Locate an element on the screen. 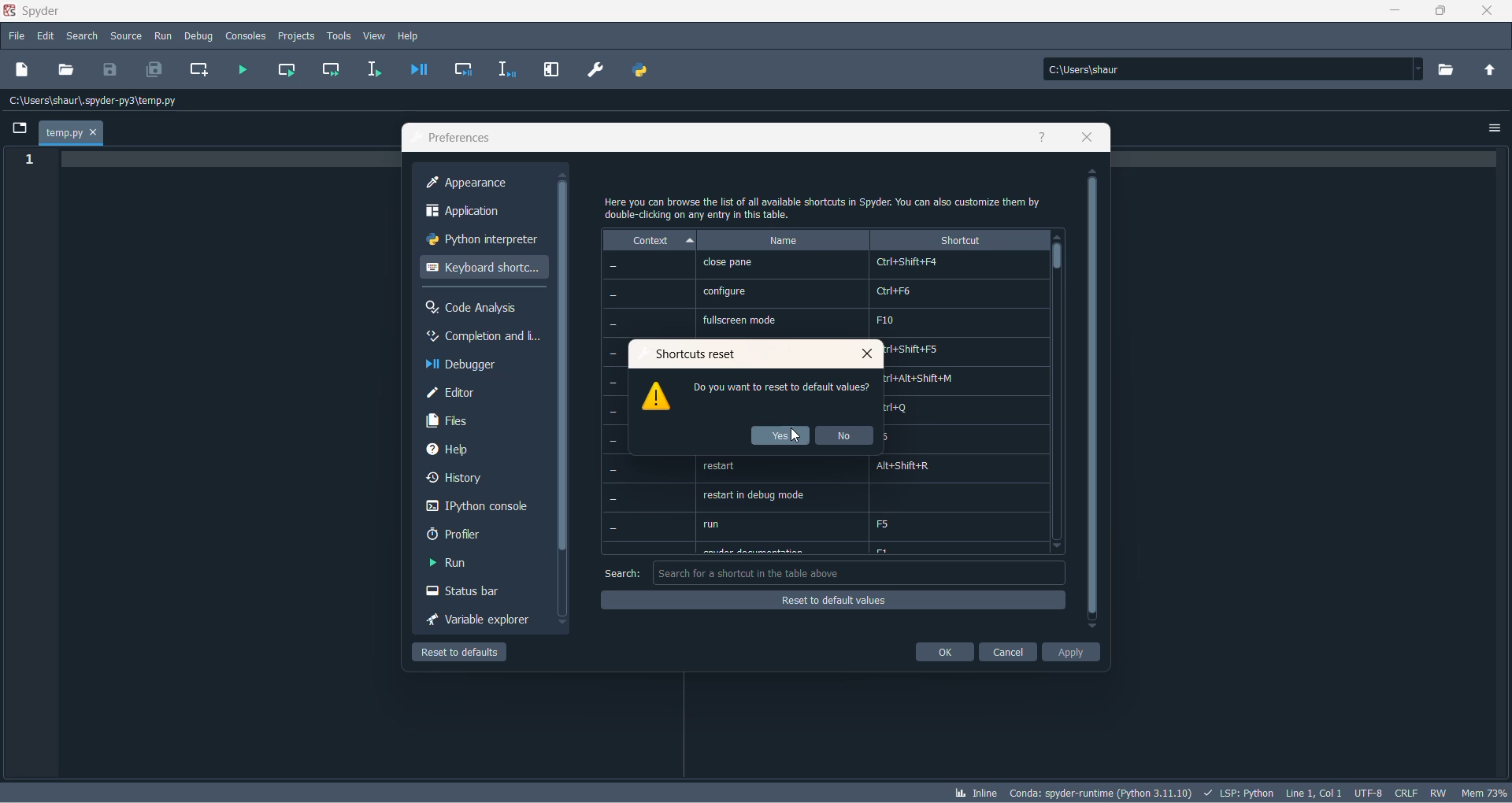 Image resolution: width=1512 pixels, height=803 pixels. script is located at coordinates (1239, 792).